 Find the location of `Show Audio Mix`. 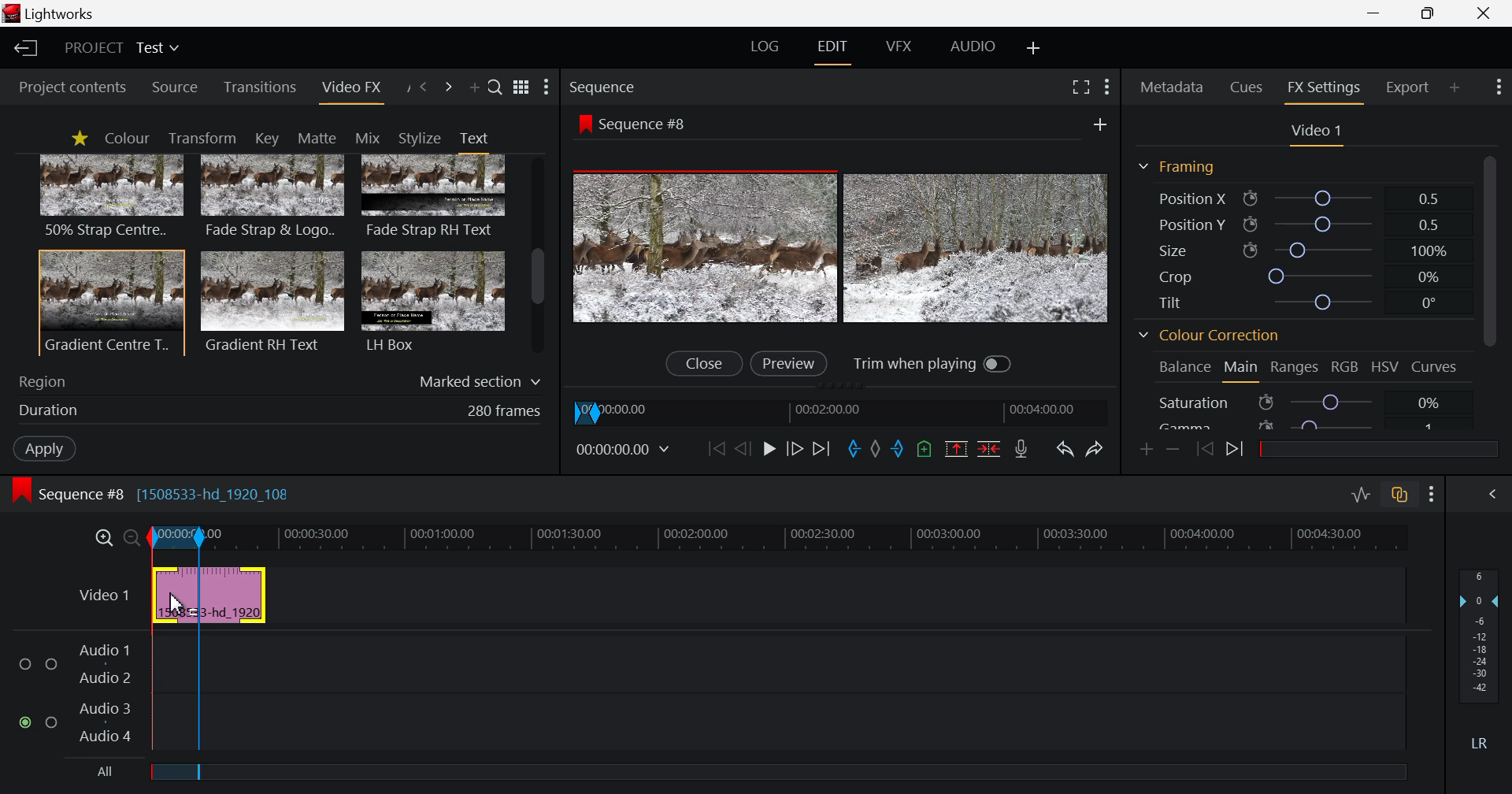

Show Audio Mix is located at coordinates (1496, 495).